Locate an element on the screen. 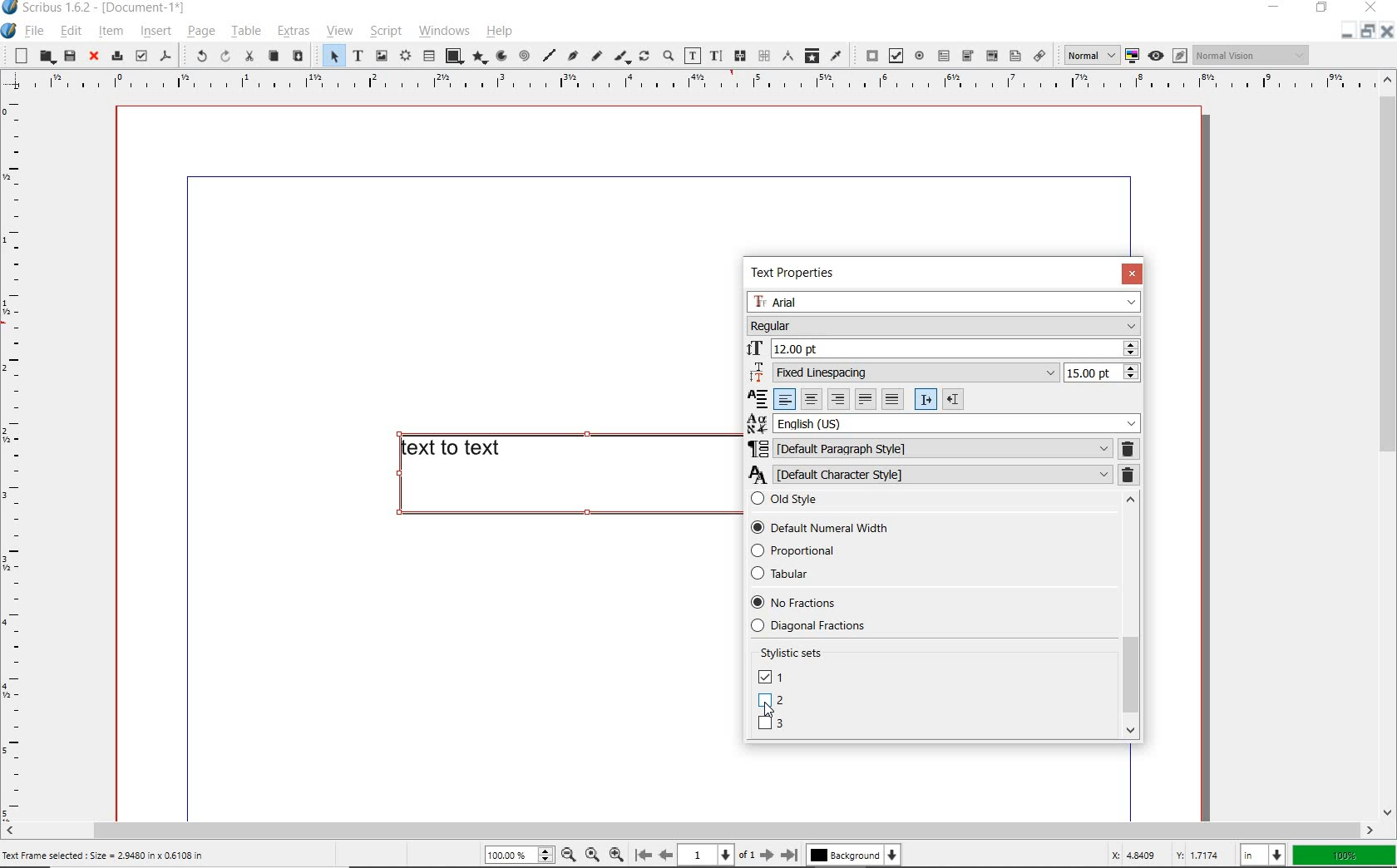  text frame is located at coordinates (357, 57).